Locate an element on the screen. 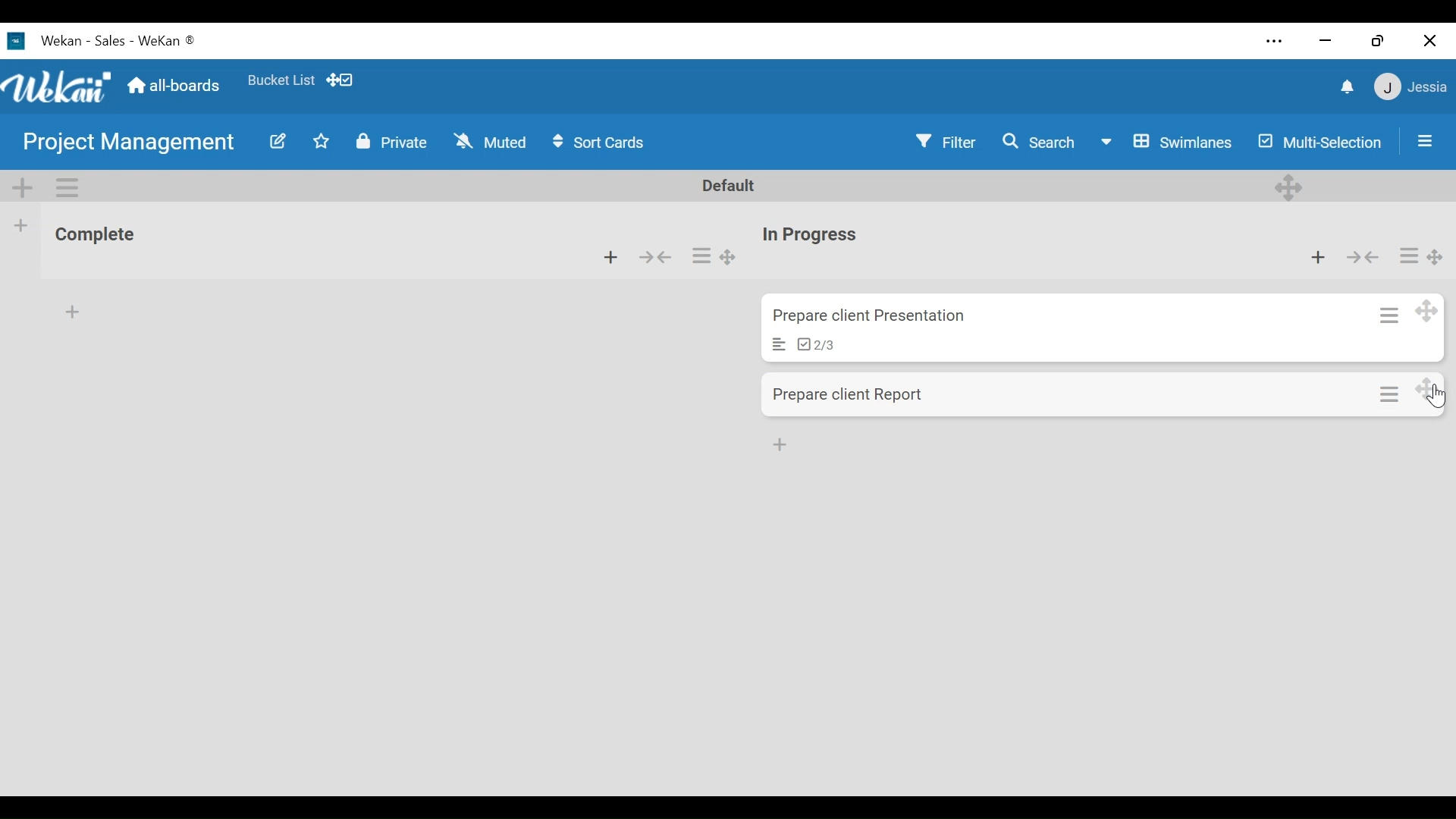 The height and width of the screenshot is (819, 1456). Sidebar is located at coordinates (1423, 136).